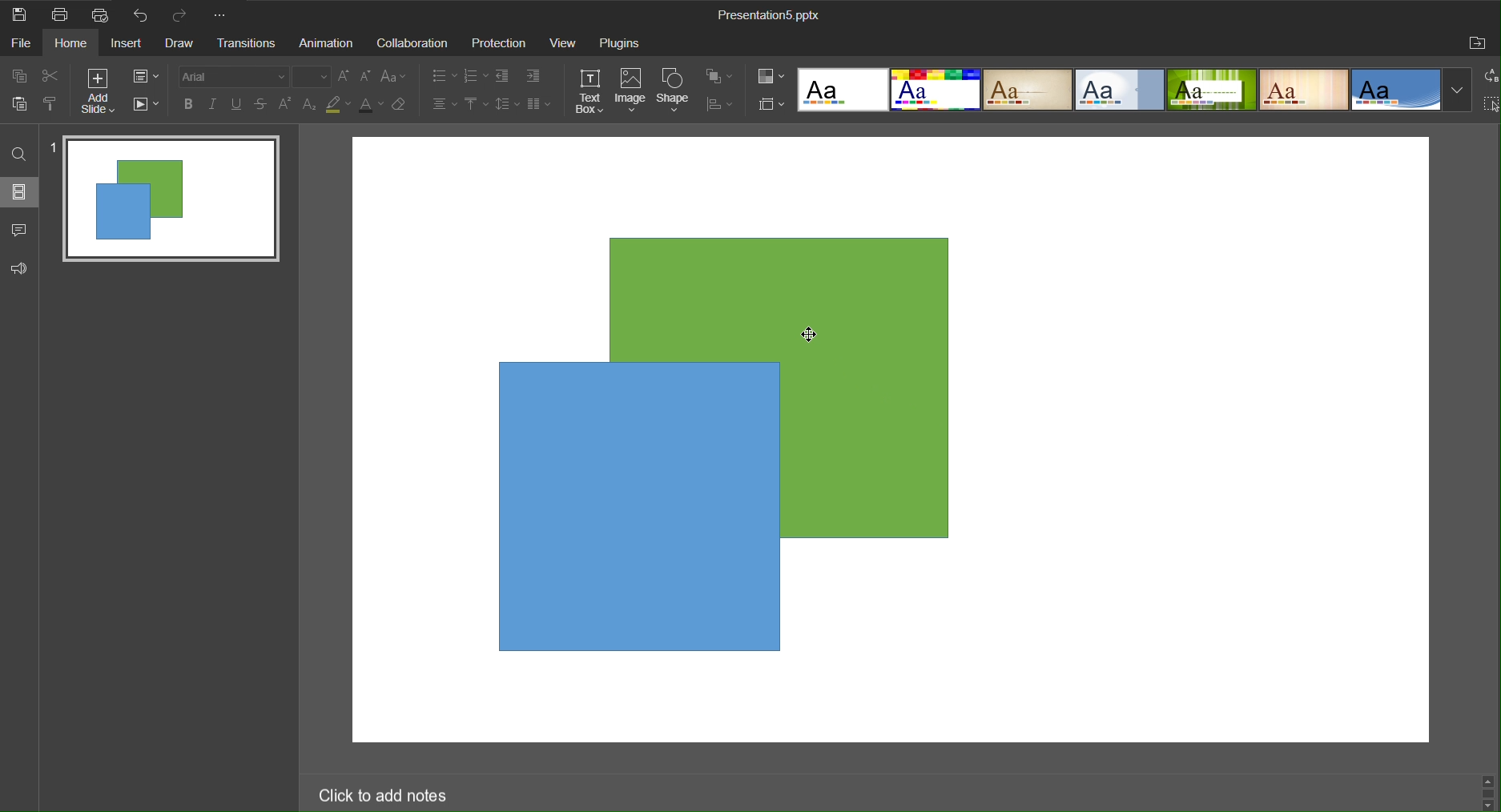  Describe the element at coordinates (476, 106) in the screenshot. I see `Vertical Align` at that location.